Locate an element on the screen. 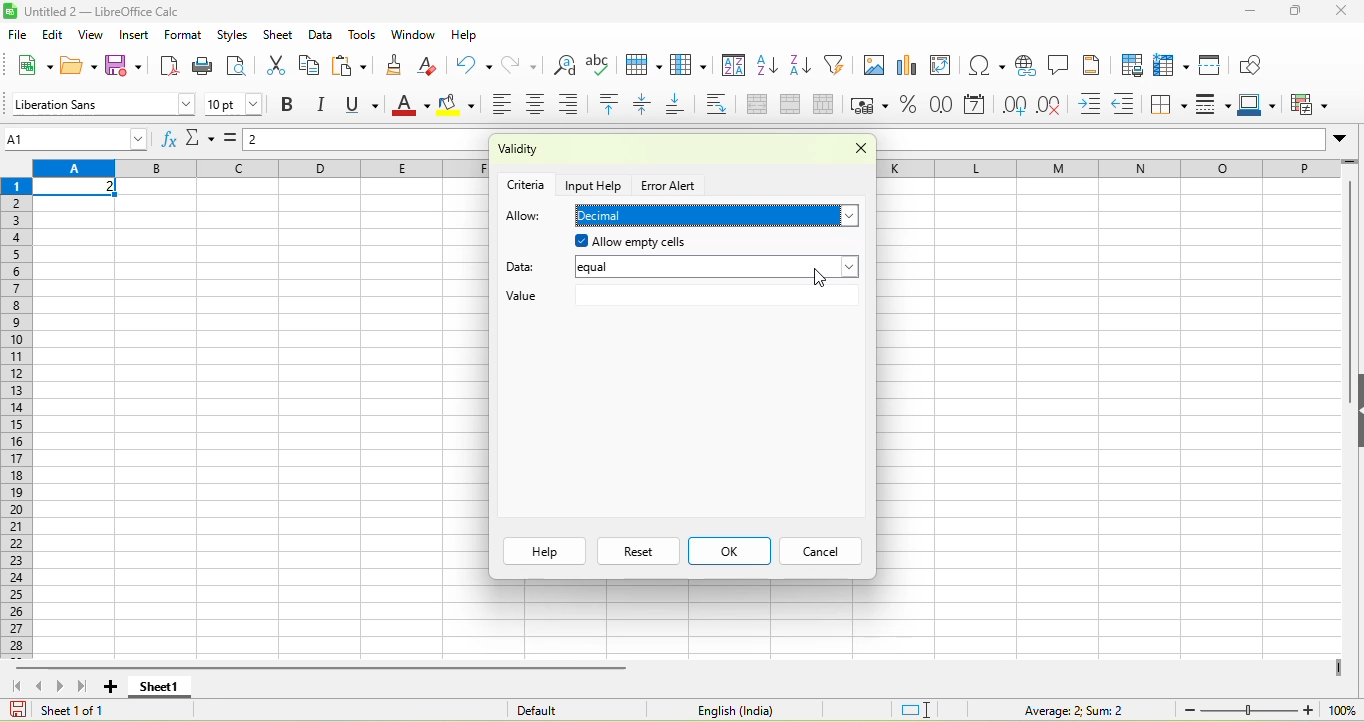 The image size is (1364, 722). open is located at coordinates (79, 64).